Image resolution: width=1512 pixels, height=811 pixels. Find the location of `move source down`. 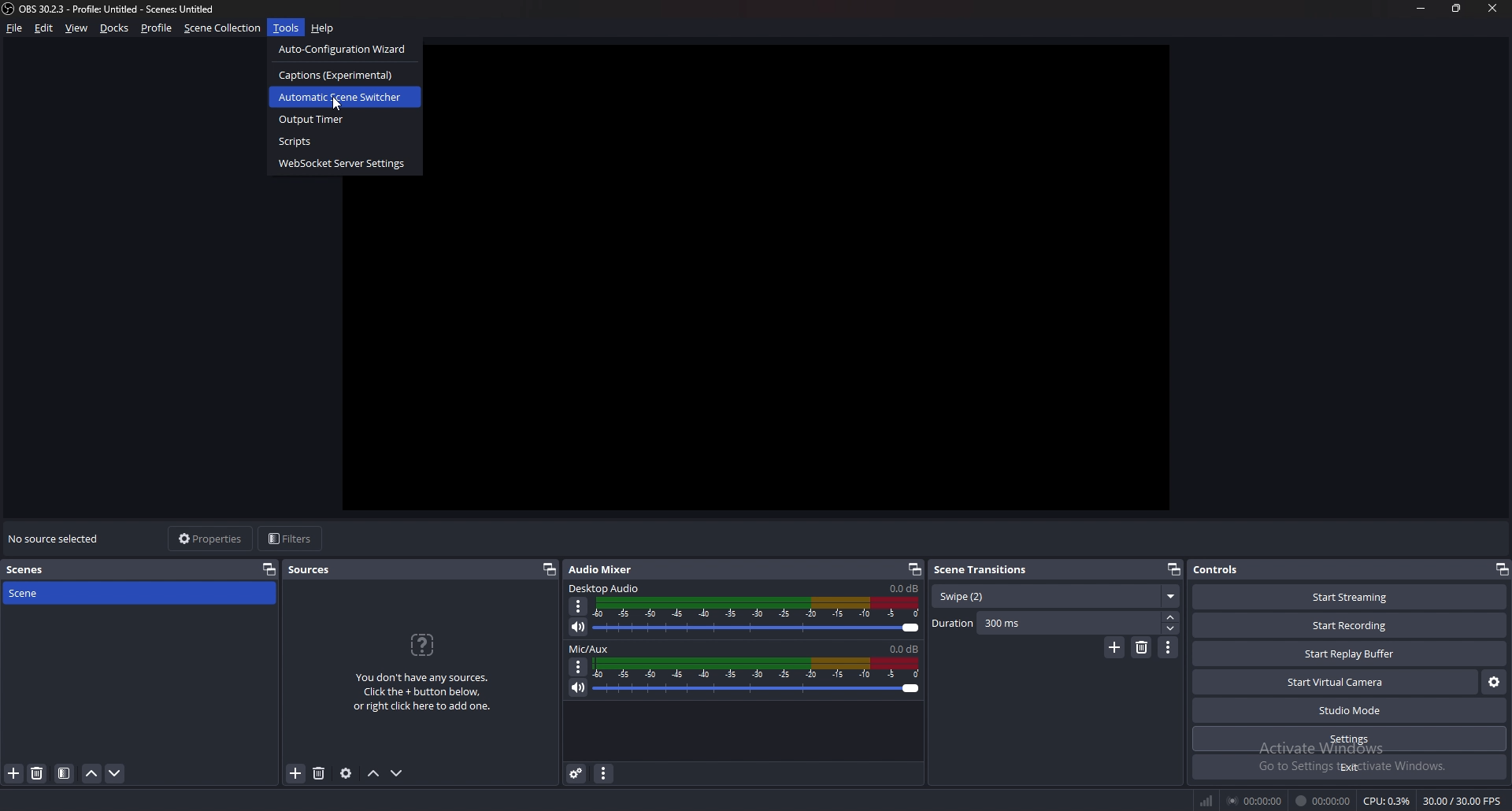

move source down is located at coordinates (397, 774).